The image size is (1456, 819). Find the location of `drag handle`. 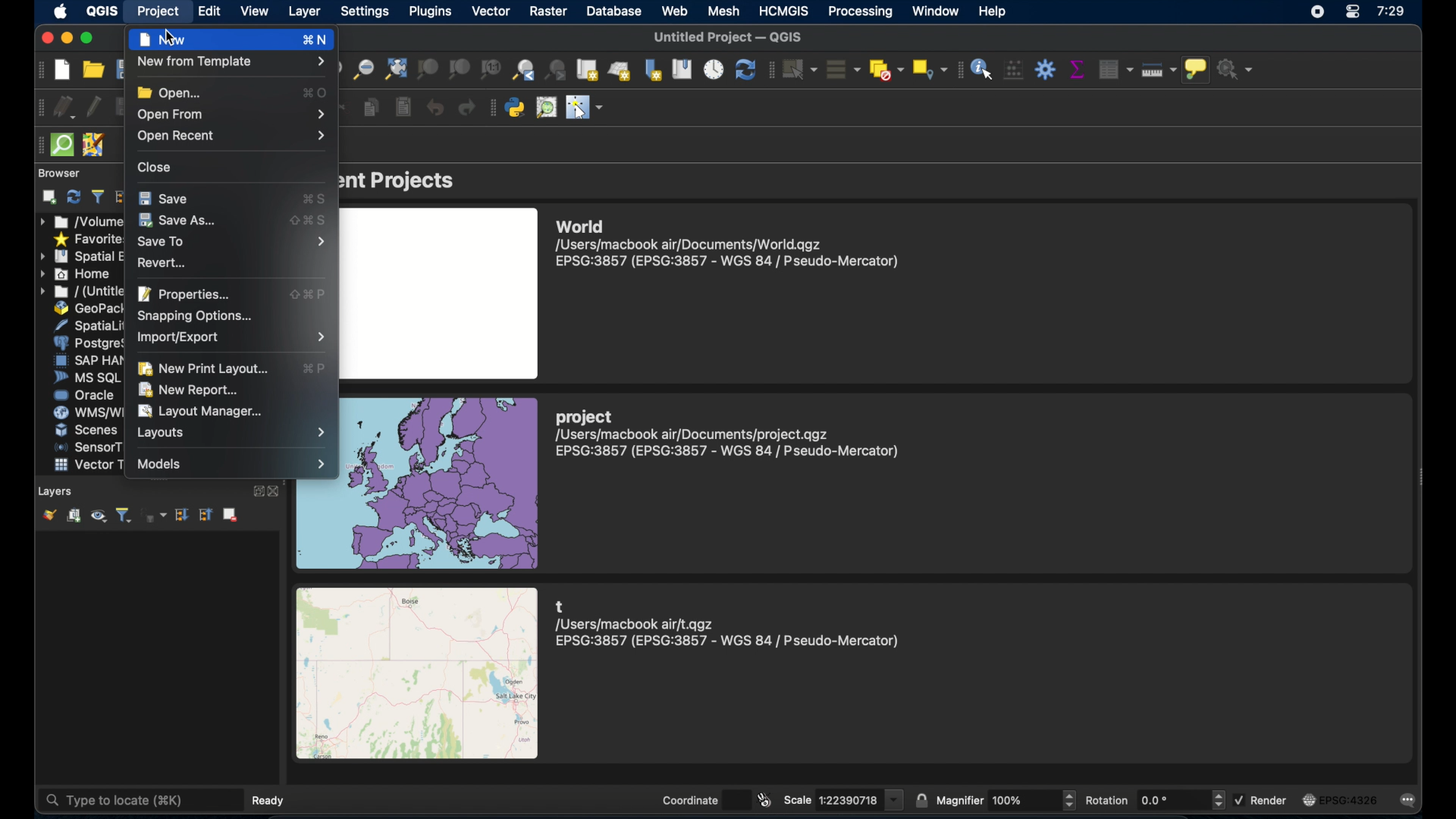

drag handle is located at coordinates (38, 146).